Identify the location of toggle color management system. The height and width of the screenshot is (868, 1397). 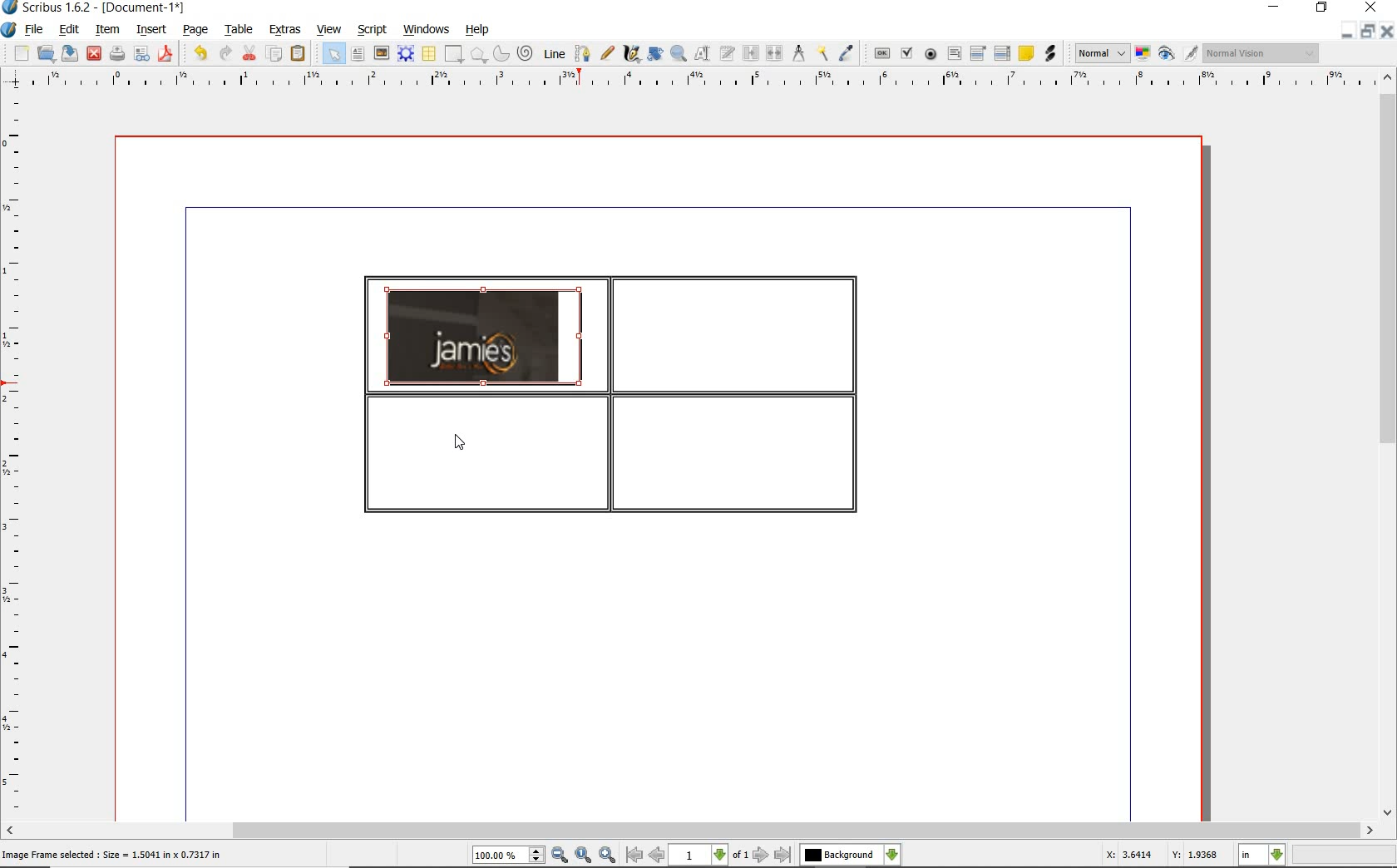
(1144, 55).